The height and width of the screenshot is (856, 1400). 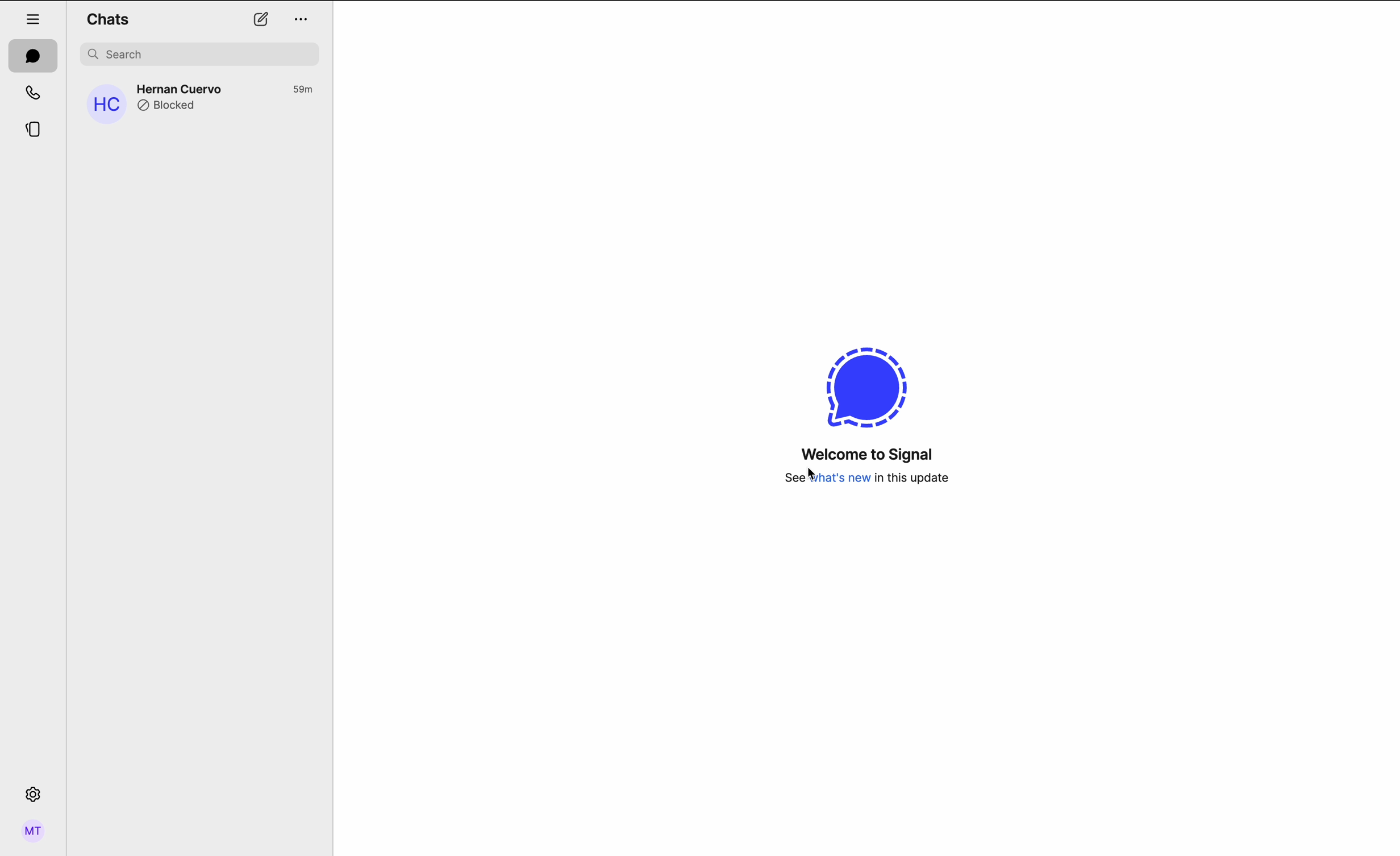 What do you see at coordinates (35, 93) in the screenshot?
I see `calls` at bounding box center [35, 93].